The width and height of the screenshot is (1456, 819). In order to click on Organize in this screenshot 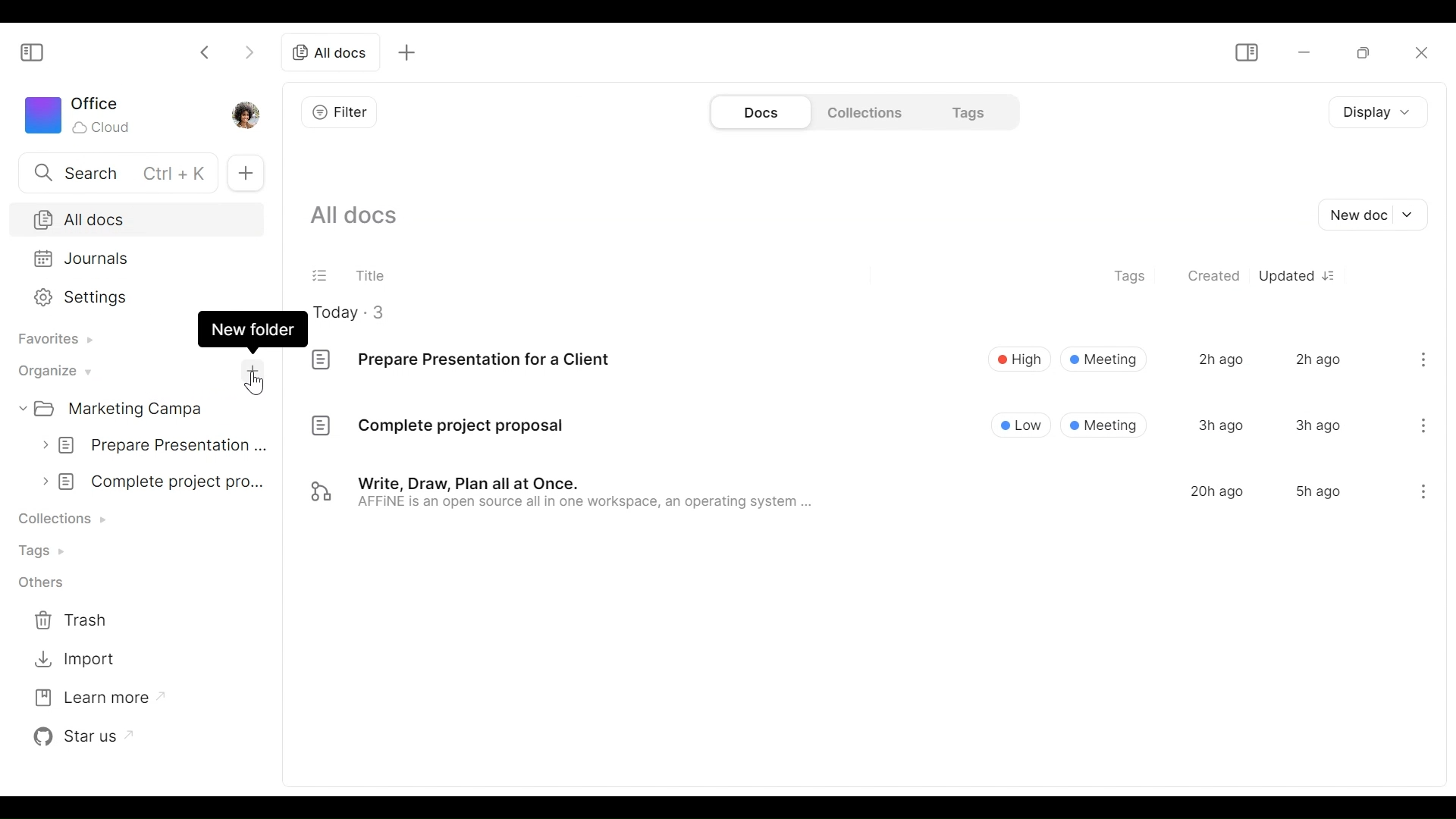, I will do `click(52, 370)`.